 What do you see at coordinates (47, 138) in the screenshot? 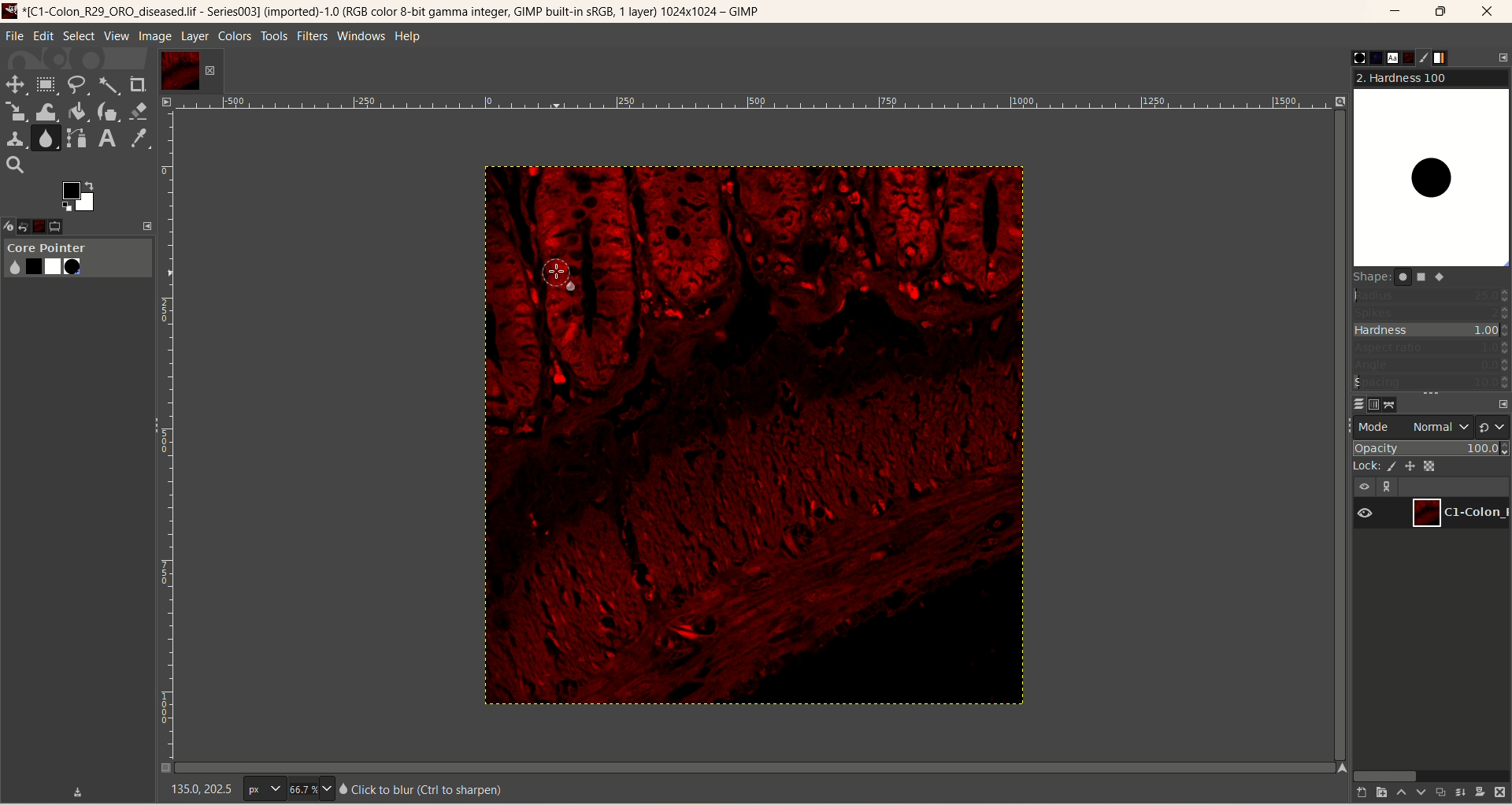
I see `smudge tool` at bounding box center [47, 138].